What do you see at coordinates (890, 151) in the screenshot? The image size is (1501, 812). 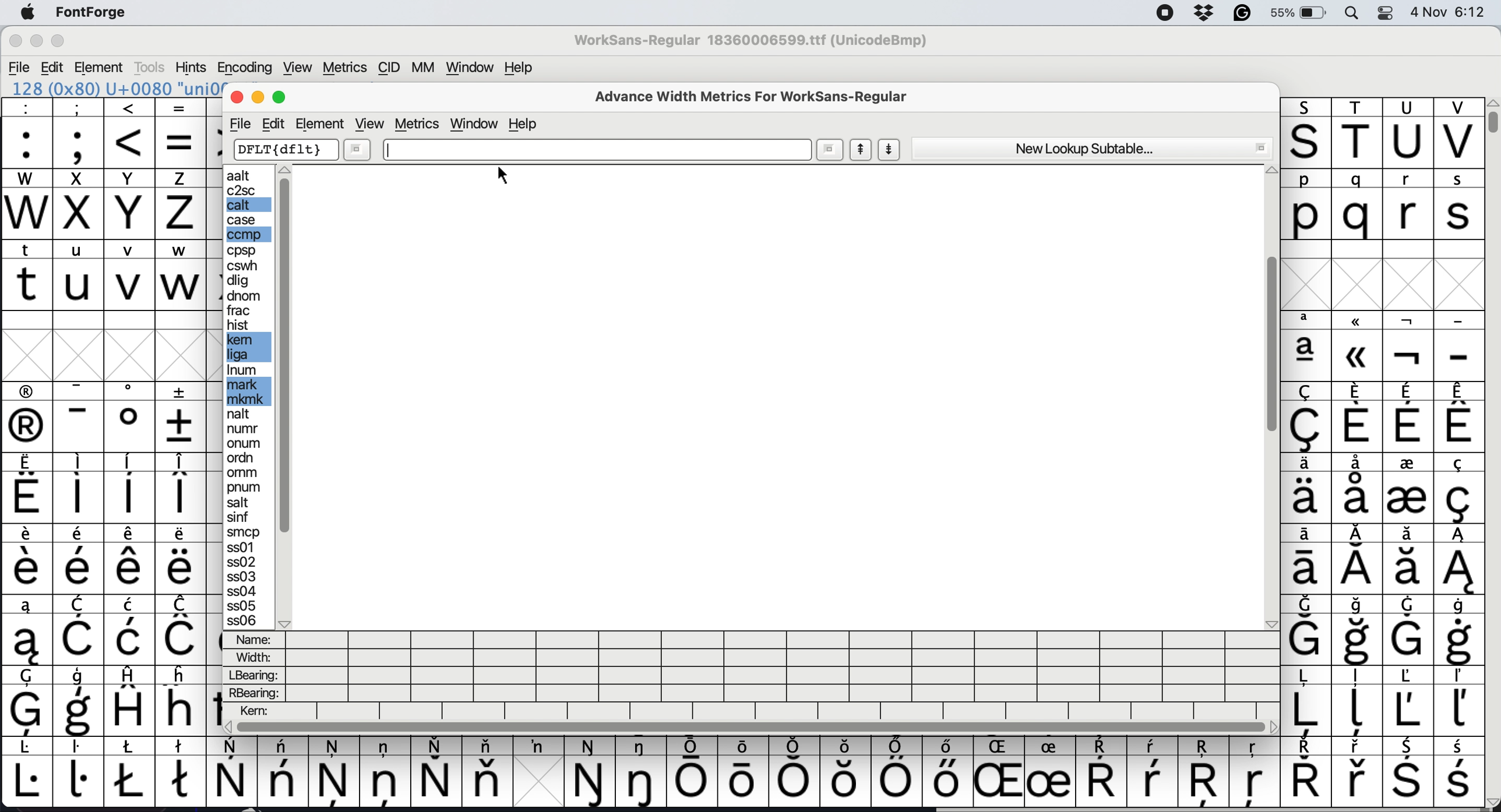 I see `show next letter` at bounding box center [890, 151].